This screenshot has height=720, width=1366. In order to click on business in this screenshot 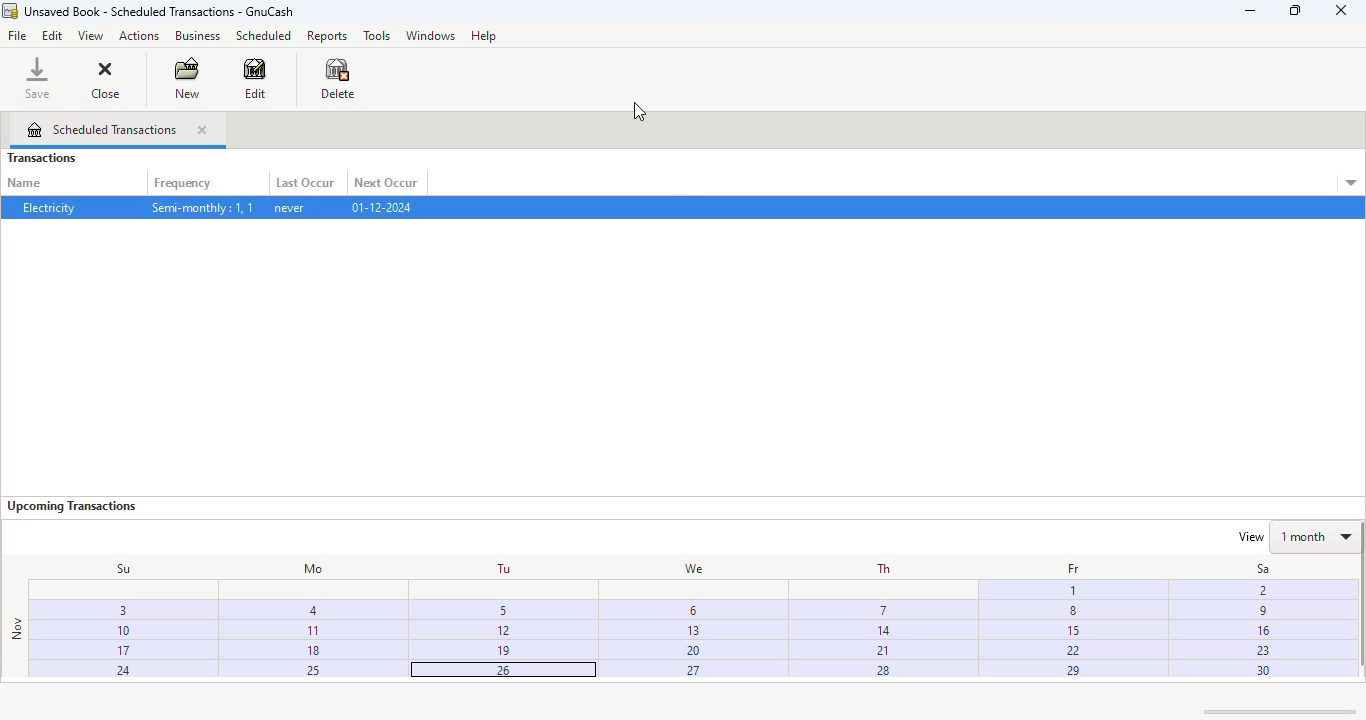, I will do `click(197, 35)`.